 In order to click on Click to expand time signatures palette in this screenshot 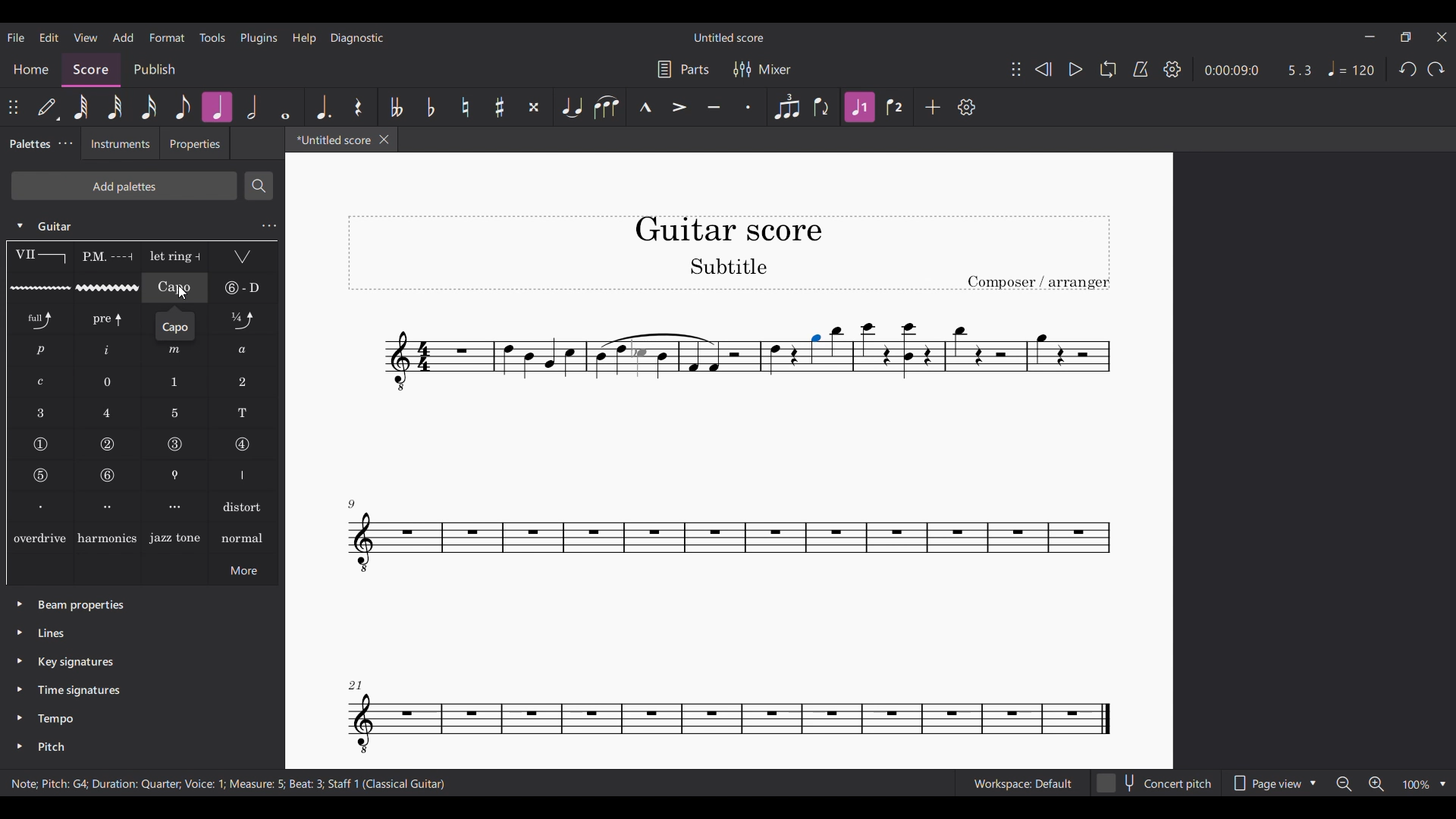, I will do `click(19, 689)`.